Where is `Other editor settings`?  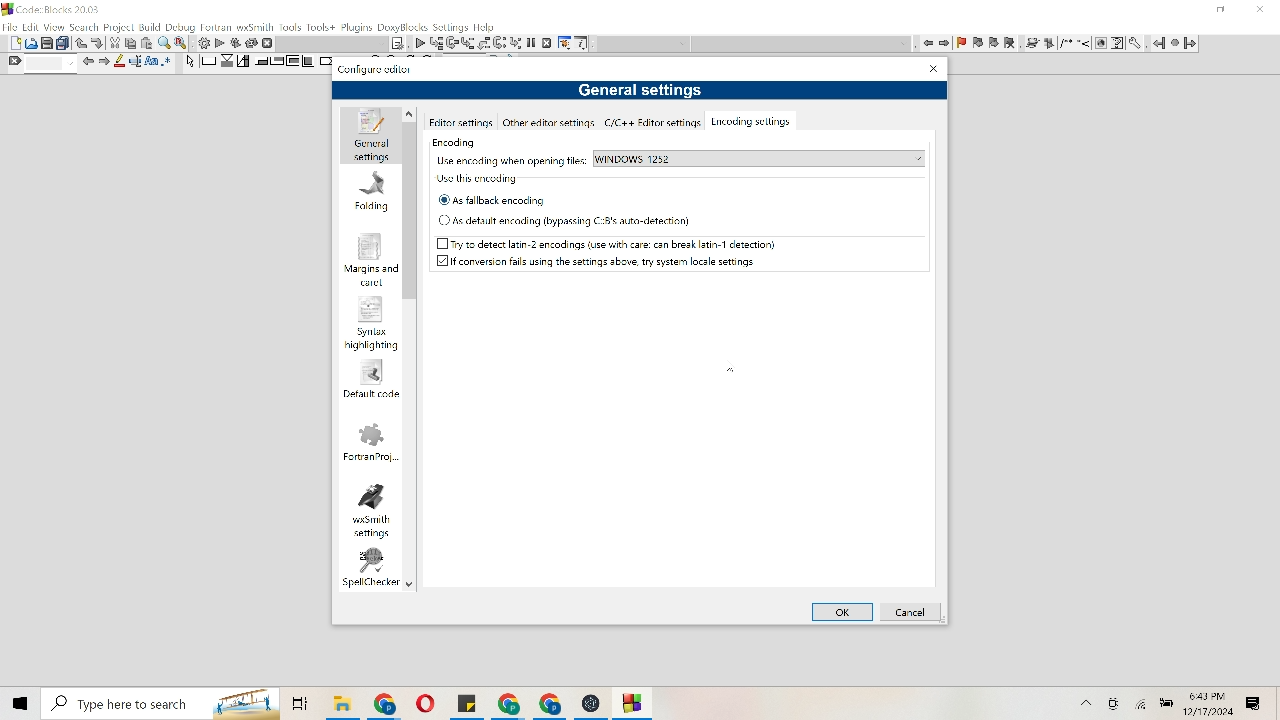
Other editor settings is located at coordinates (548, 123).